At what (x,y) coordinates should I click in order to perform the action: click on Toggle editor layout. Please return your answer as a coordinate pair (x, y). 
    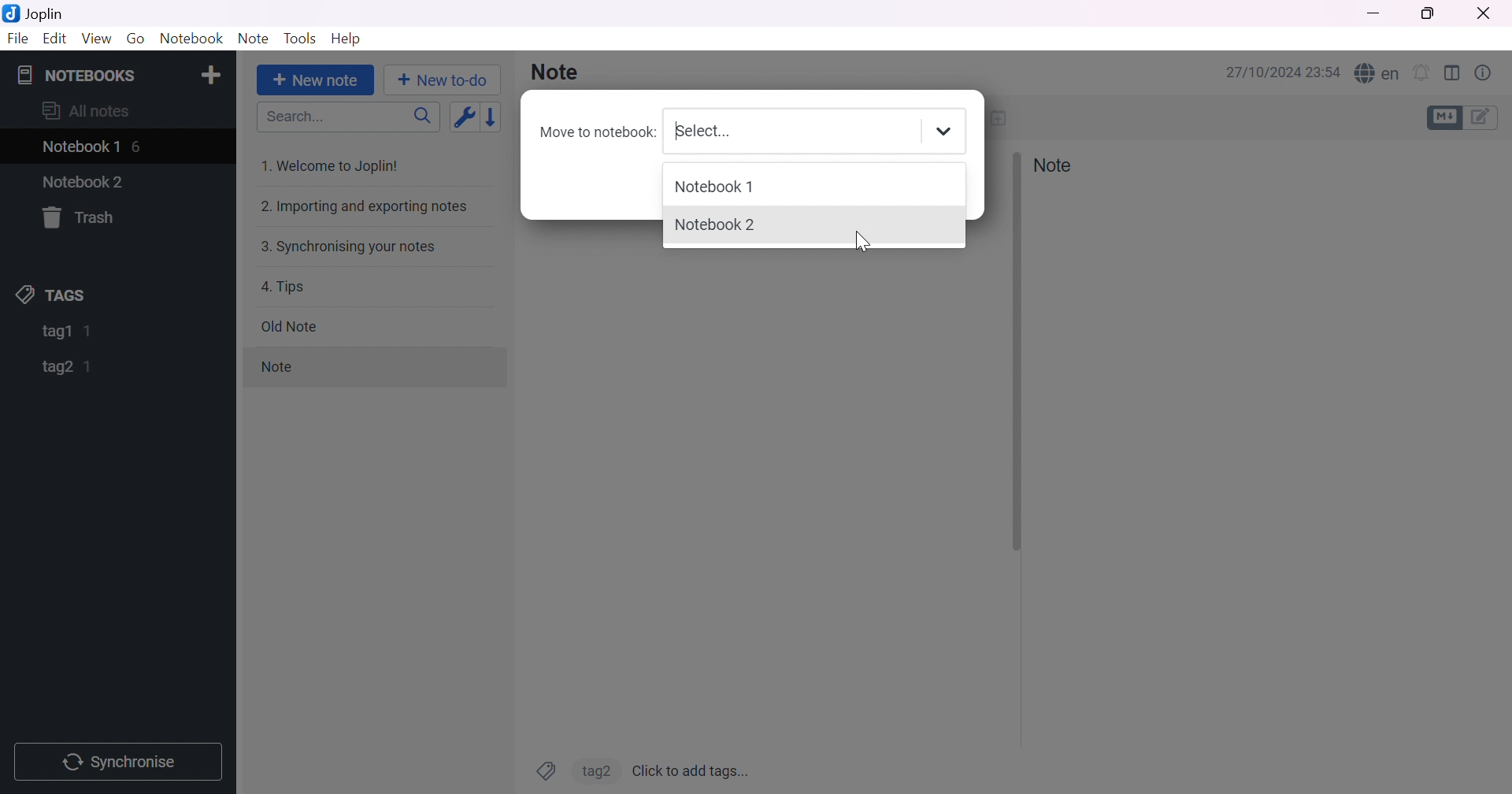
    Looking at the image, I should click on (1455, 74).